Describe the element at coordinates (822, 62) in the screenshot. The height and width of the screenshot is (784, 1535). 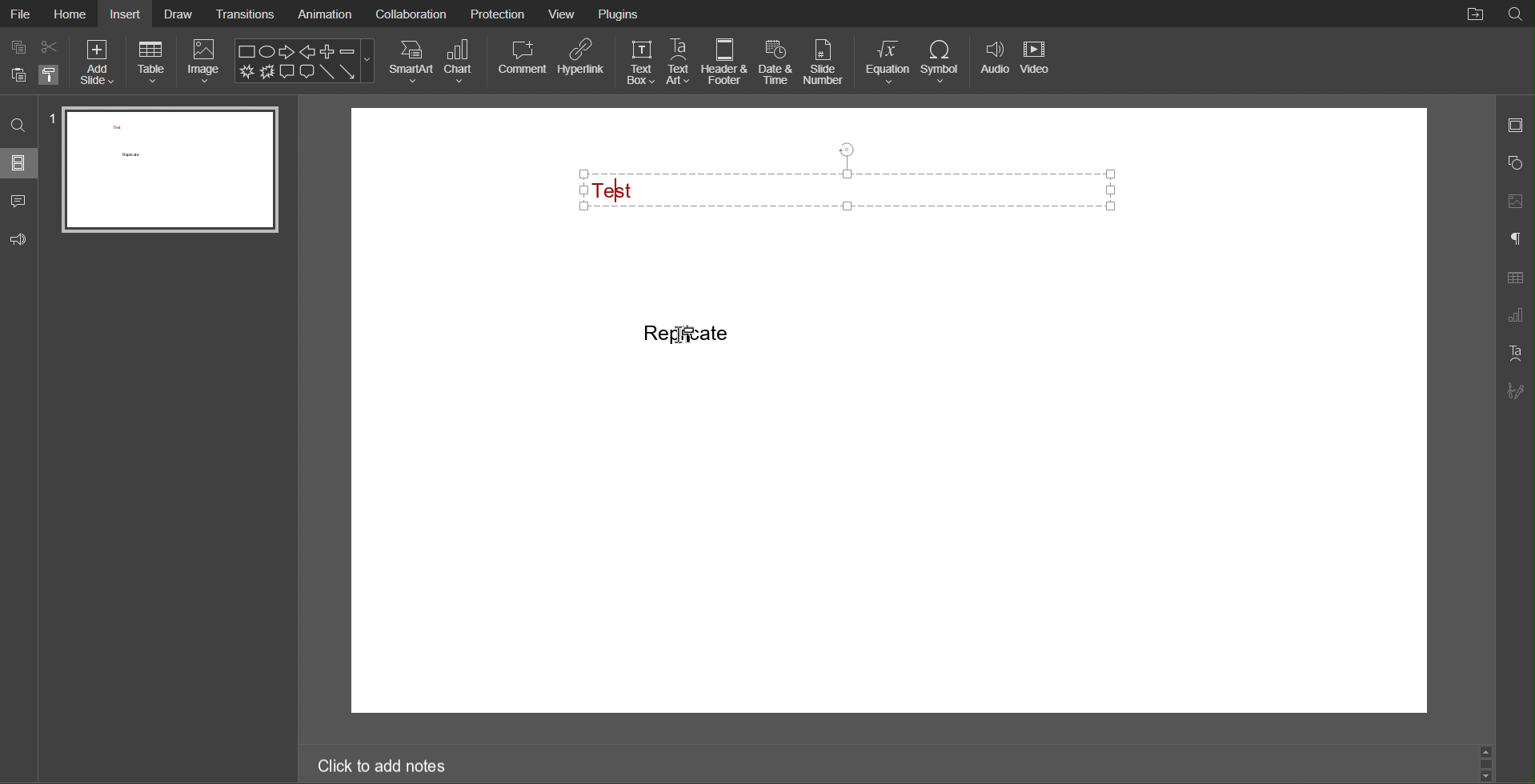
I see `Slide Number` at that location.